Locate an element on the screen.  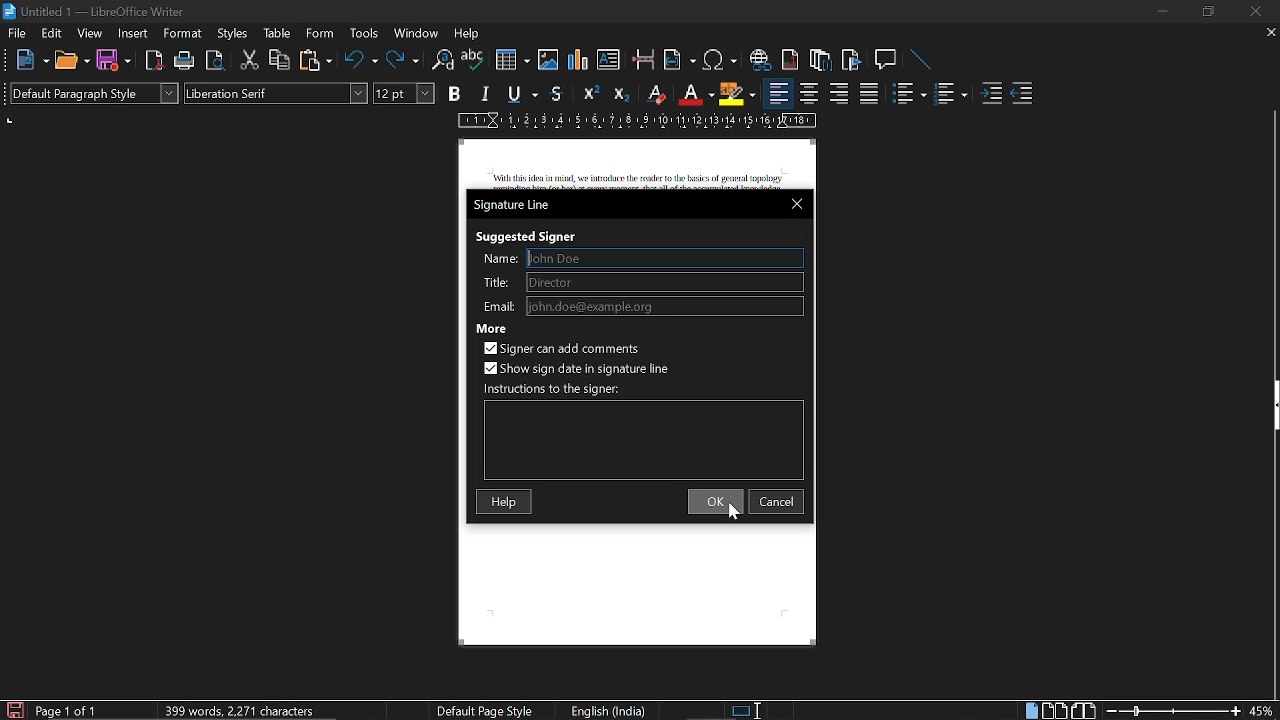
close is located at coordinates (1253, 12).